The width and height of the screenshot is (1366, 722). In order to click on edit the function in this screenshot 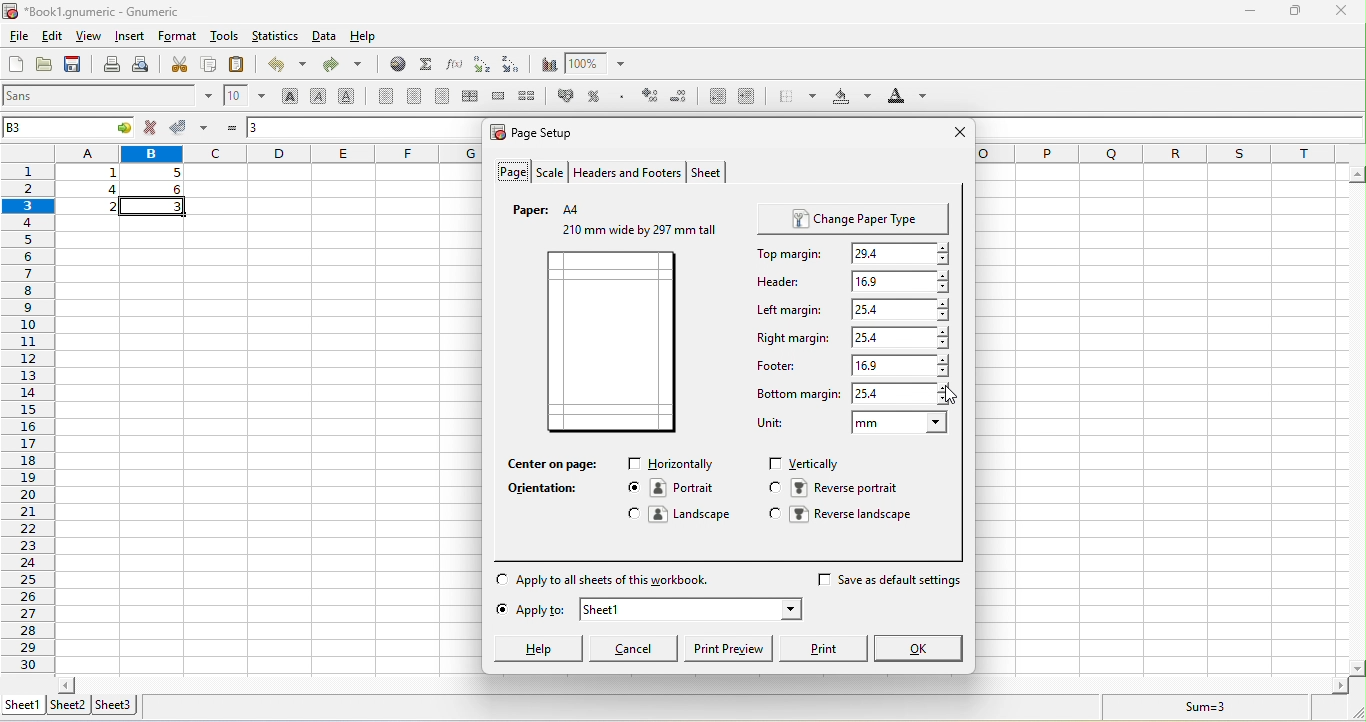, I will do `click(455, 64)`.